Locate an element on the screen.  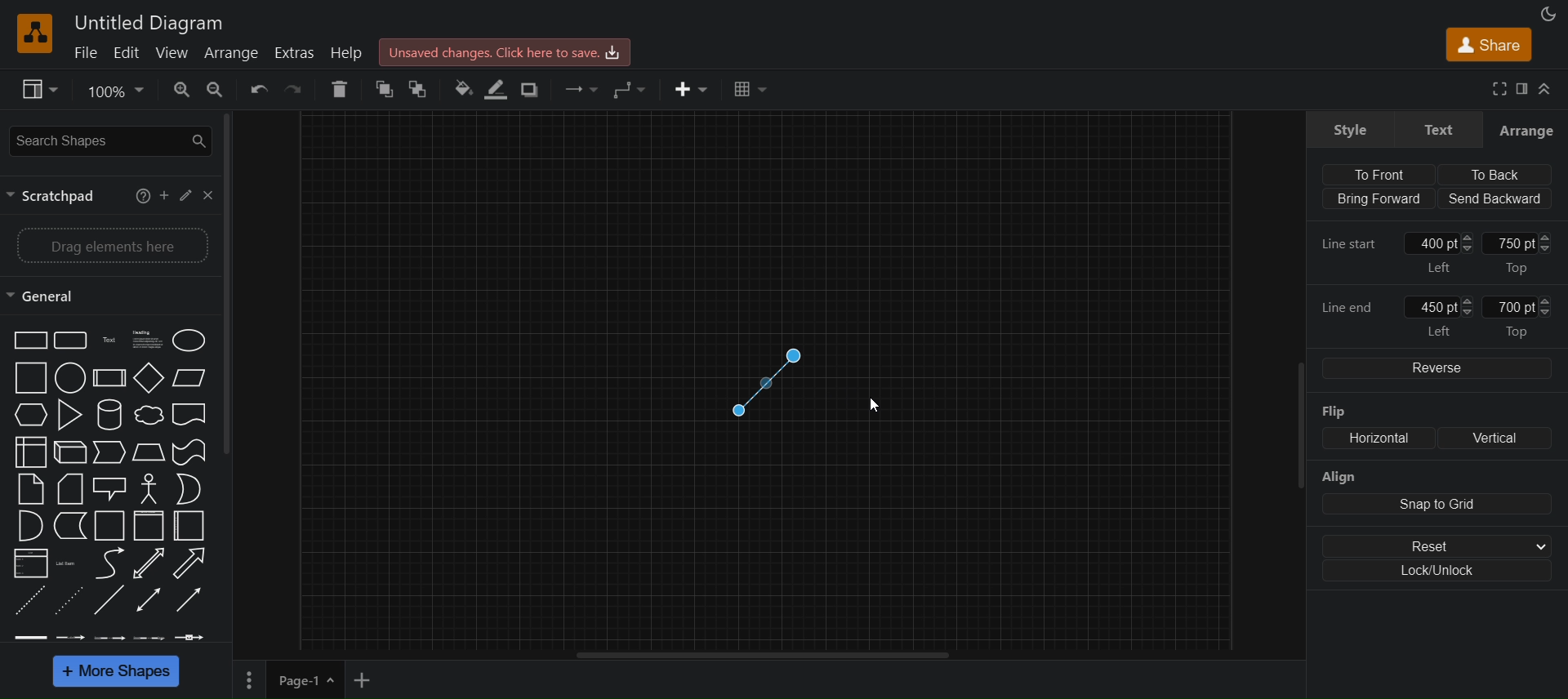
Process is located at coordinates (107, 377).